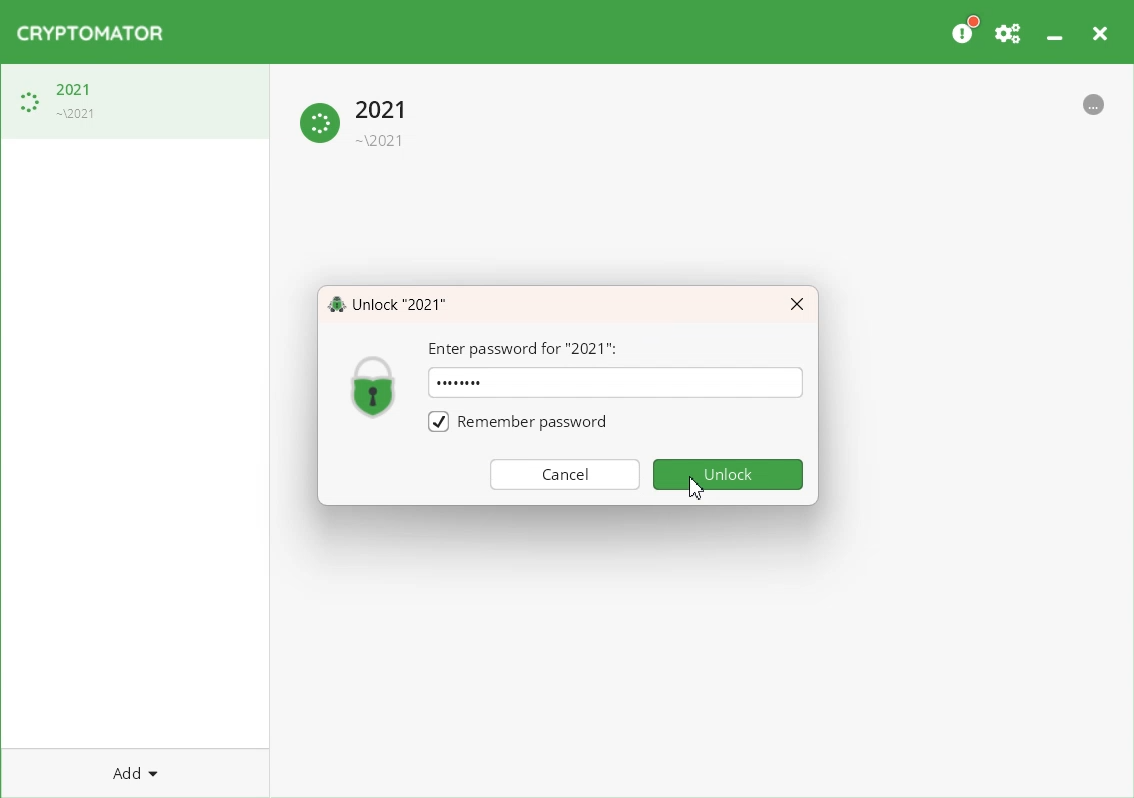  I want to click on Cursor, so click(697, 487).